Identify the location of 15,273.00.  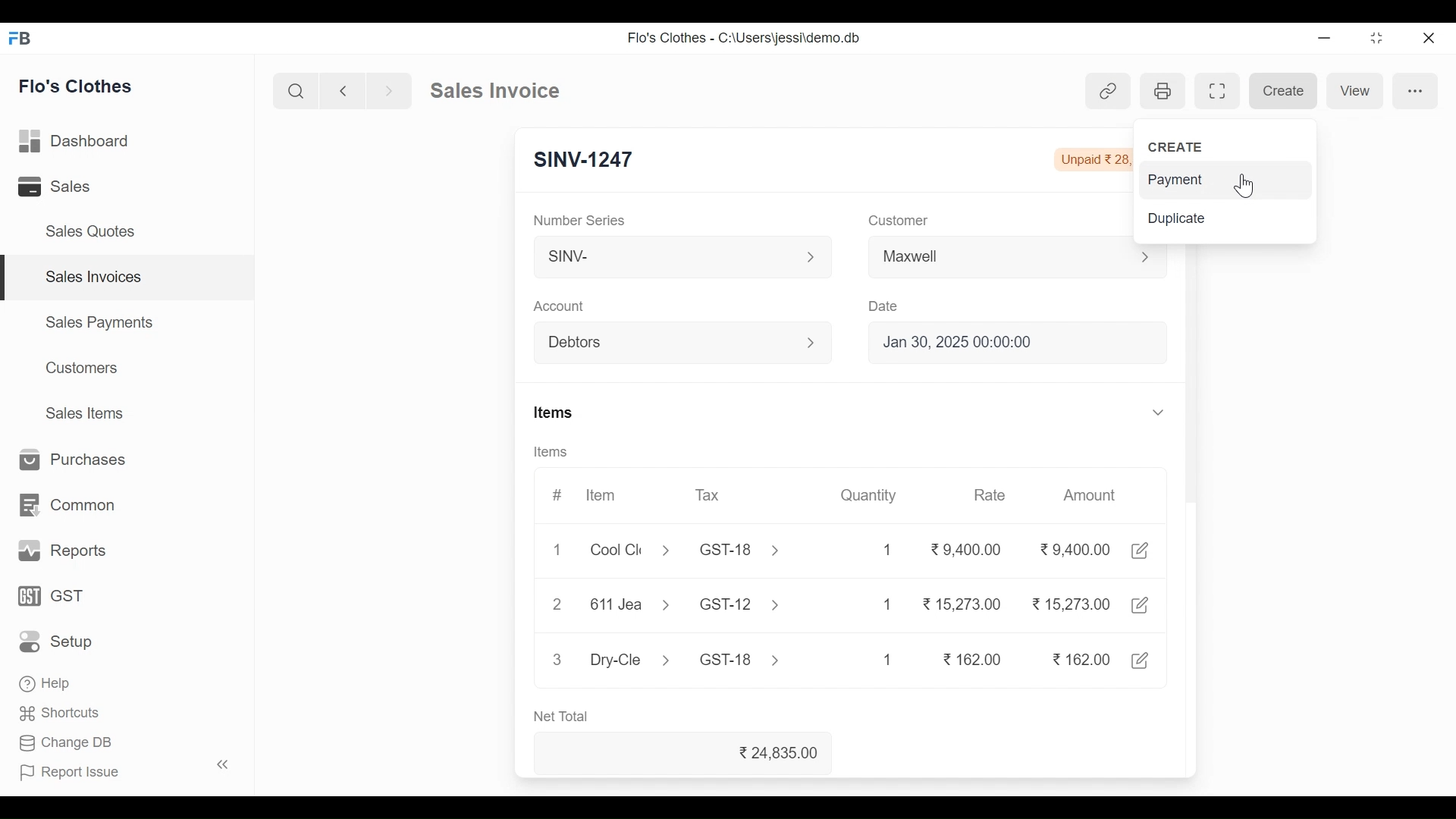
(962, 603).